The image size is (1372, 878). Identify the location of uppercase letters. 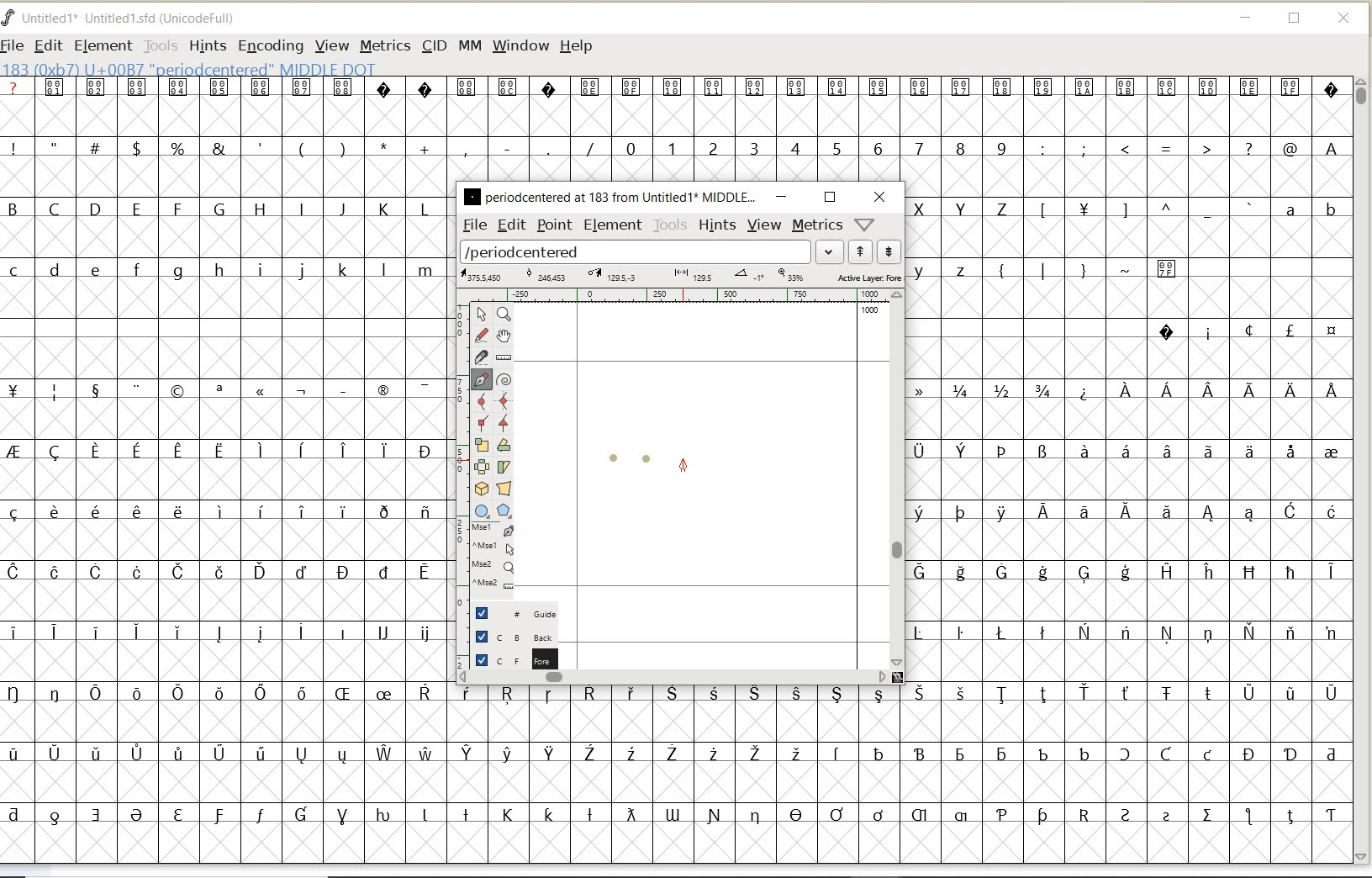
(221, 209).